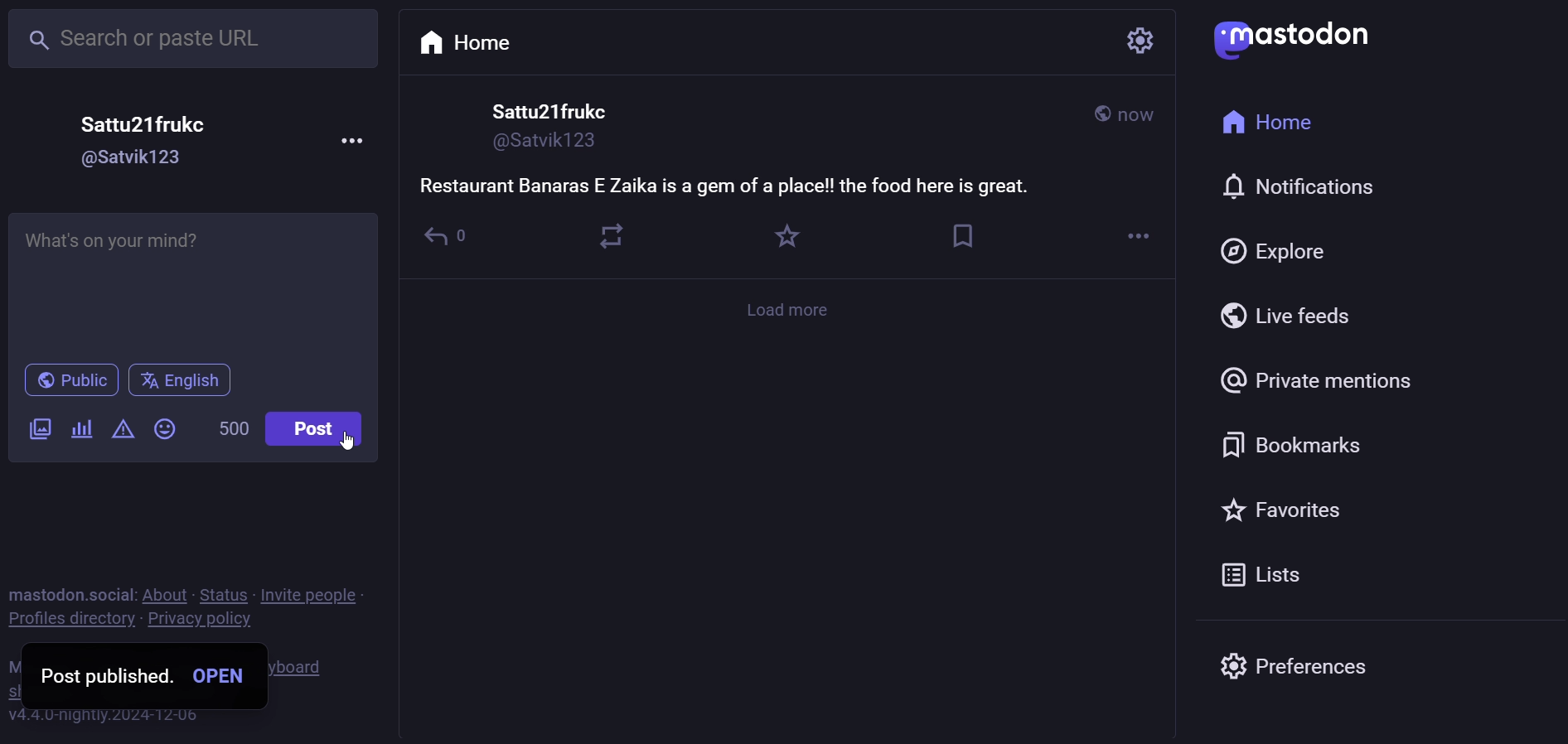 The height and width of the screenshot is (744, 1568). What do you see at coordinates (70, 380) in the screenshot?
I see `public` at bounding box center [70, 380].